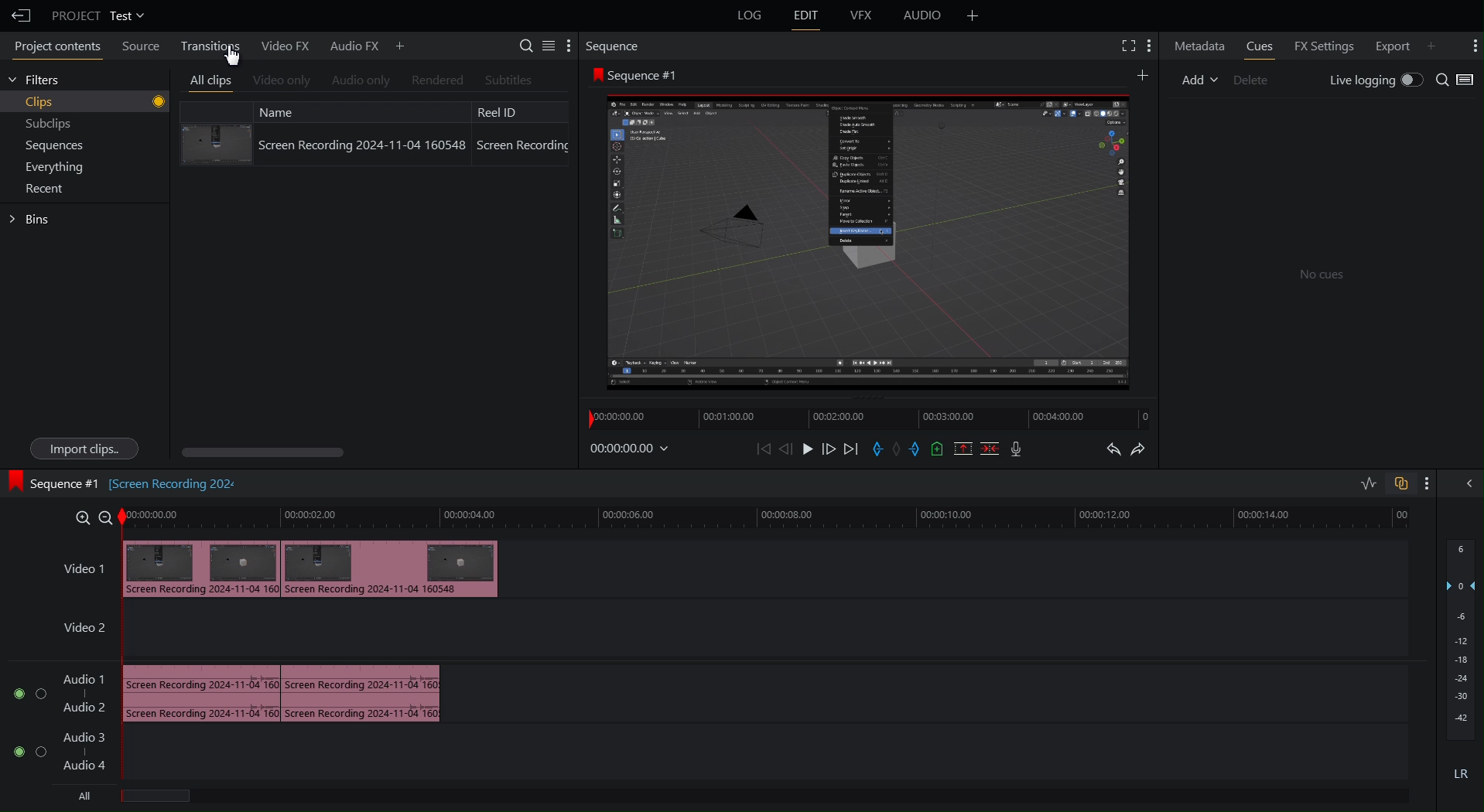  What do you see at coordinates (630, 448) in the screenshot?
I see `Timestamp` at bounding box center [630, 448].